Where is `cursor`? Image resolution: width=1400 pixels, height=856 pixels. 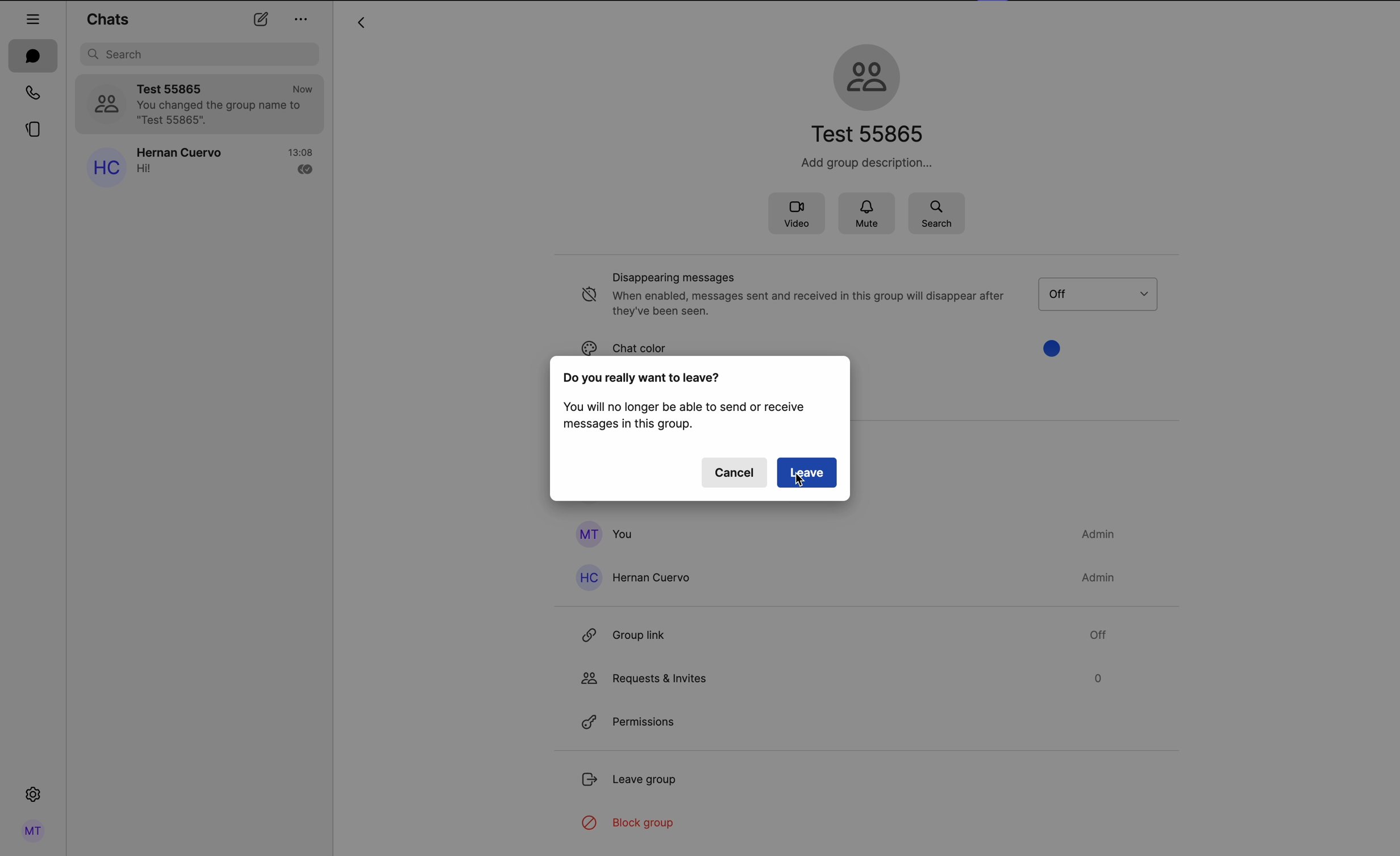 cursor is located at coordinates (802, 481).